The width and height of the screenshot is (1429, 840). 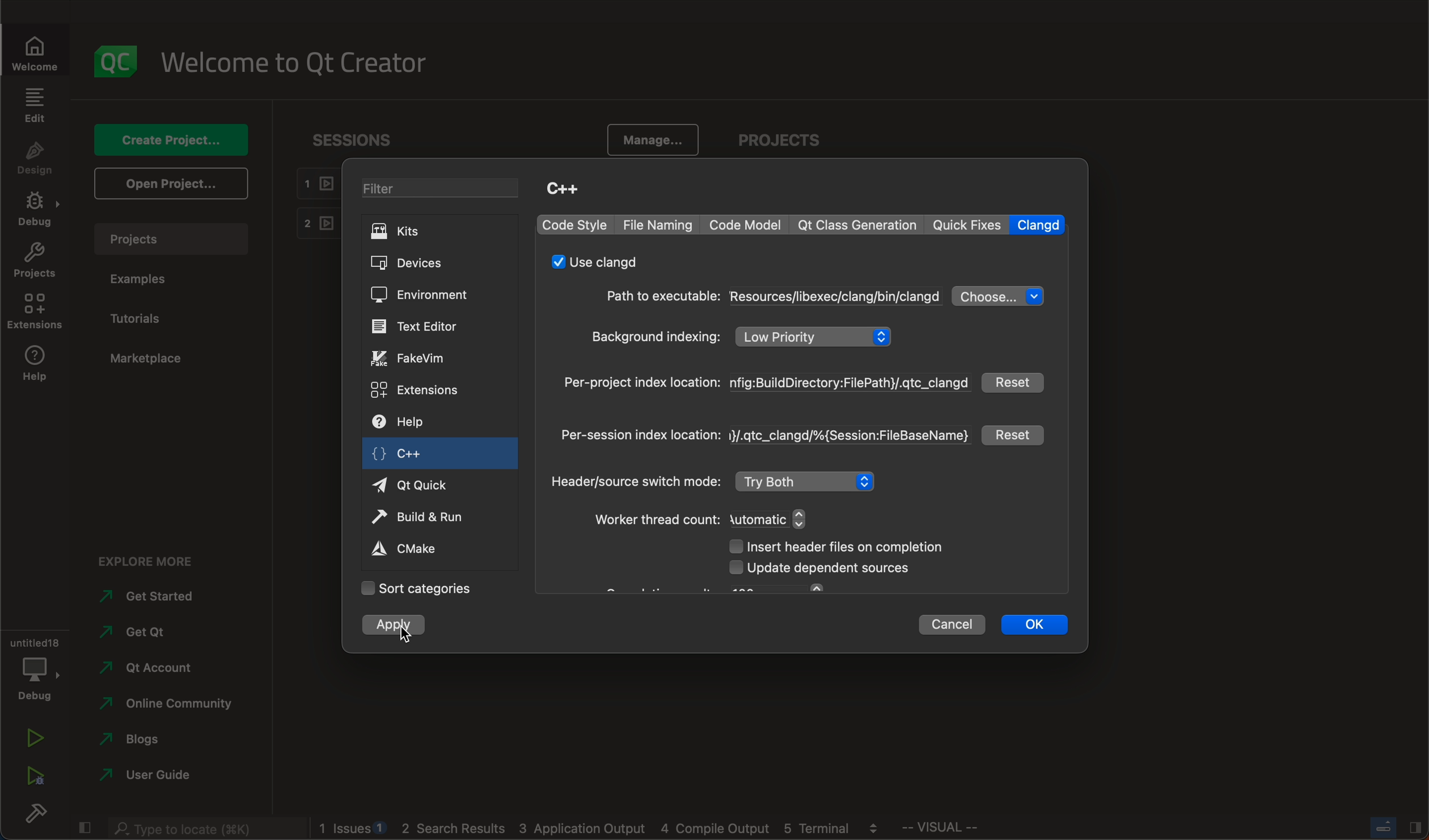 I want to click on extensions, so click(x=418, y=390).